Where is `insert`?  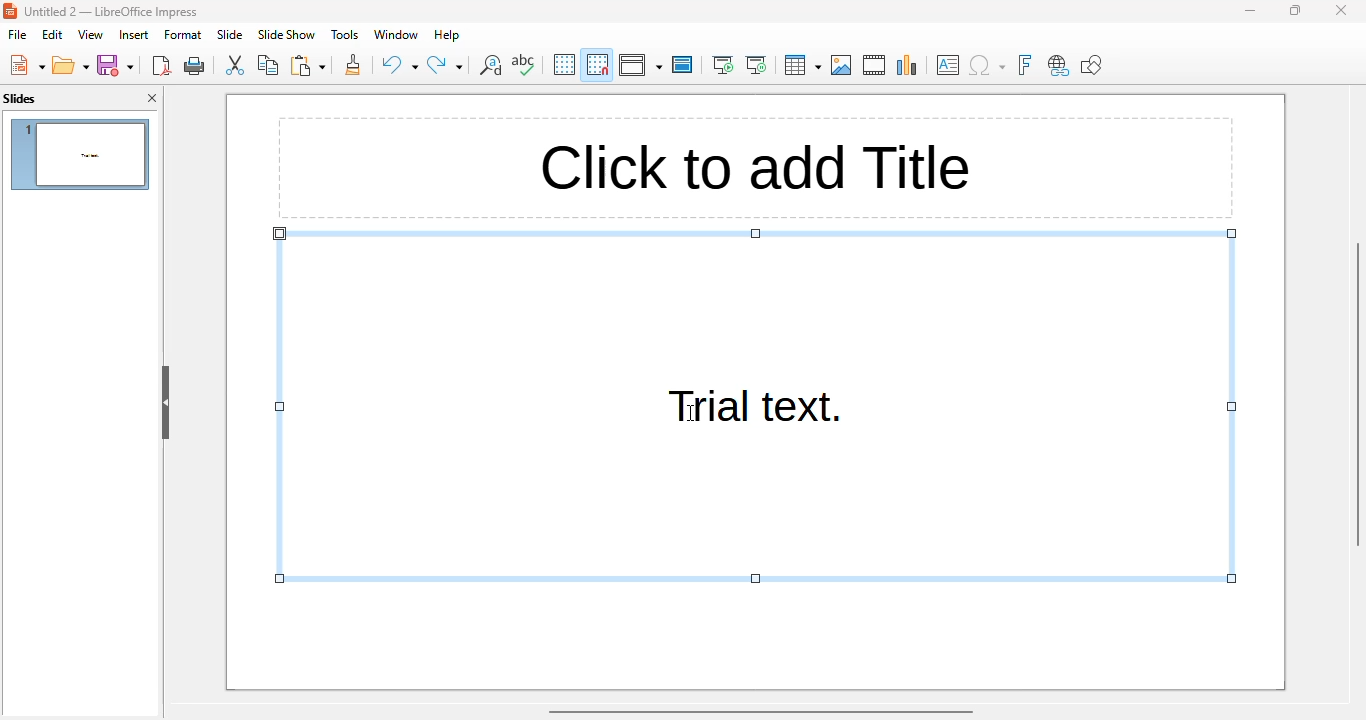
insert is located at coordinates (132, 34).